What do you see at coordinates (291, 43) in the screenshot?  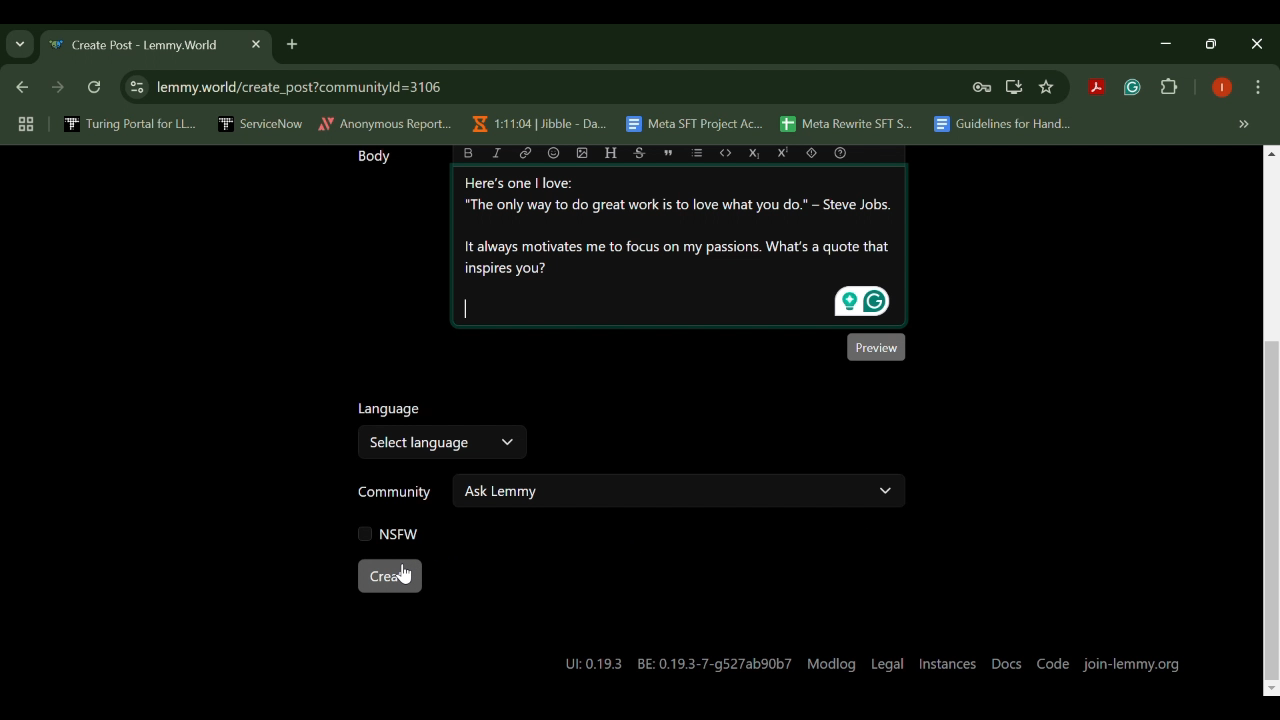 I see `Add Tab` at bounding box center [291, 43].